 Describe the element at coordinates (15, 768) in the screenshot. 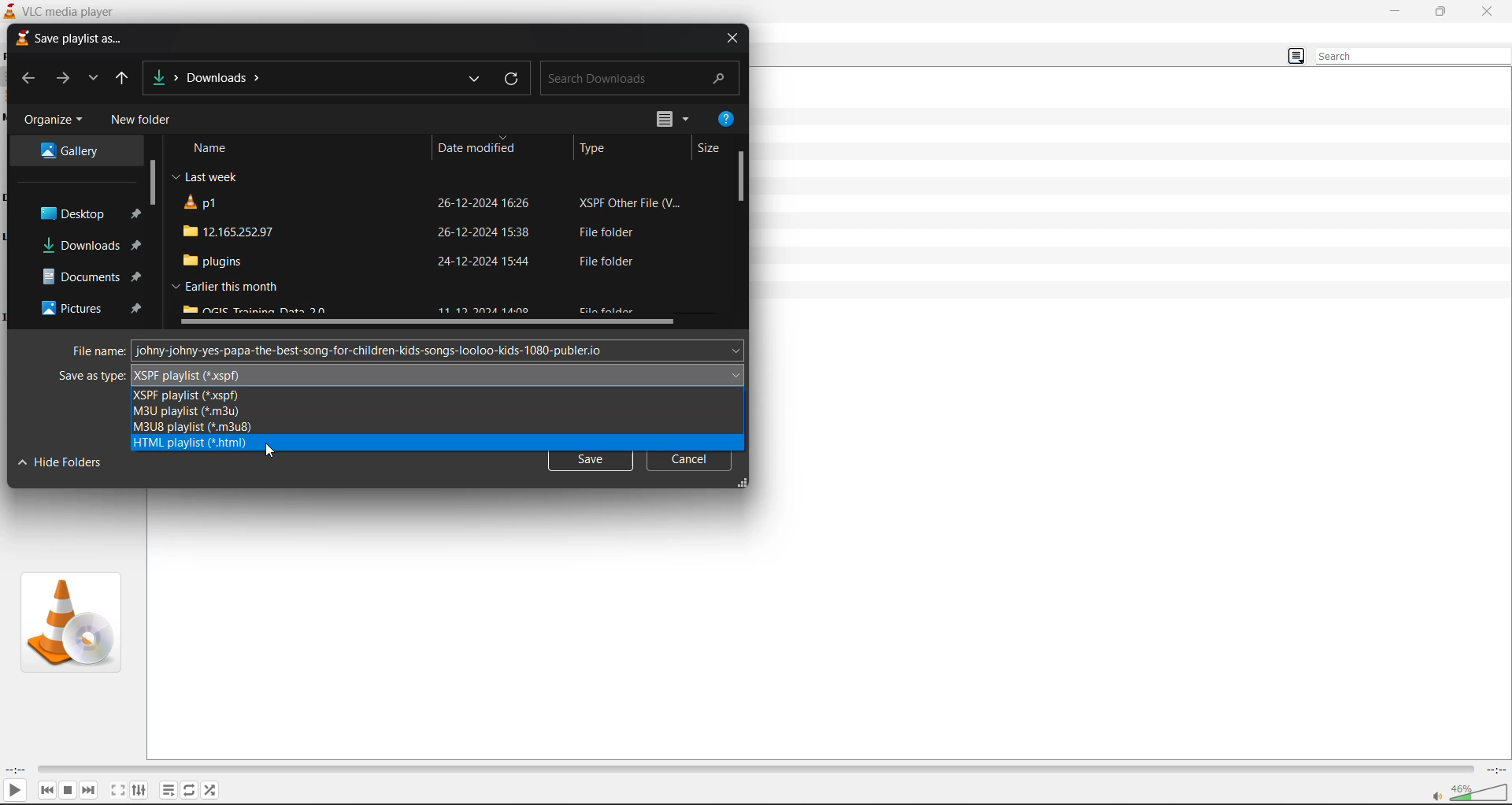

I see `current track time` at that location.